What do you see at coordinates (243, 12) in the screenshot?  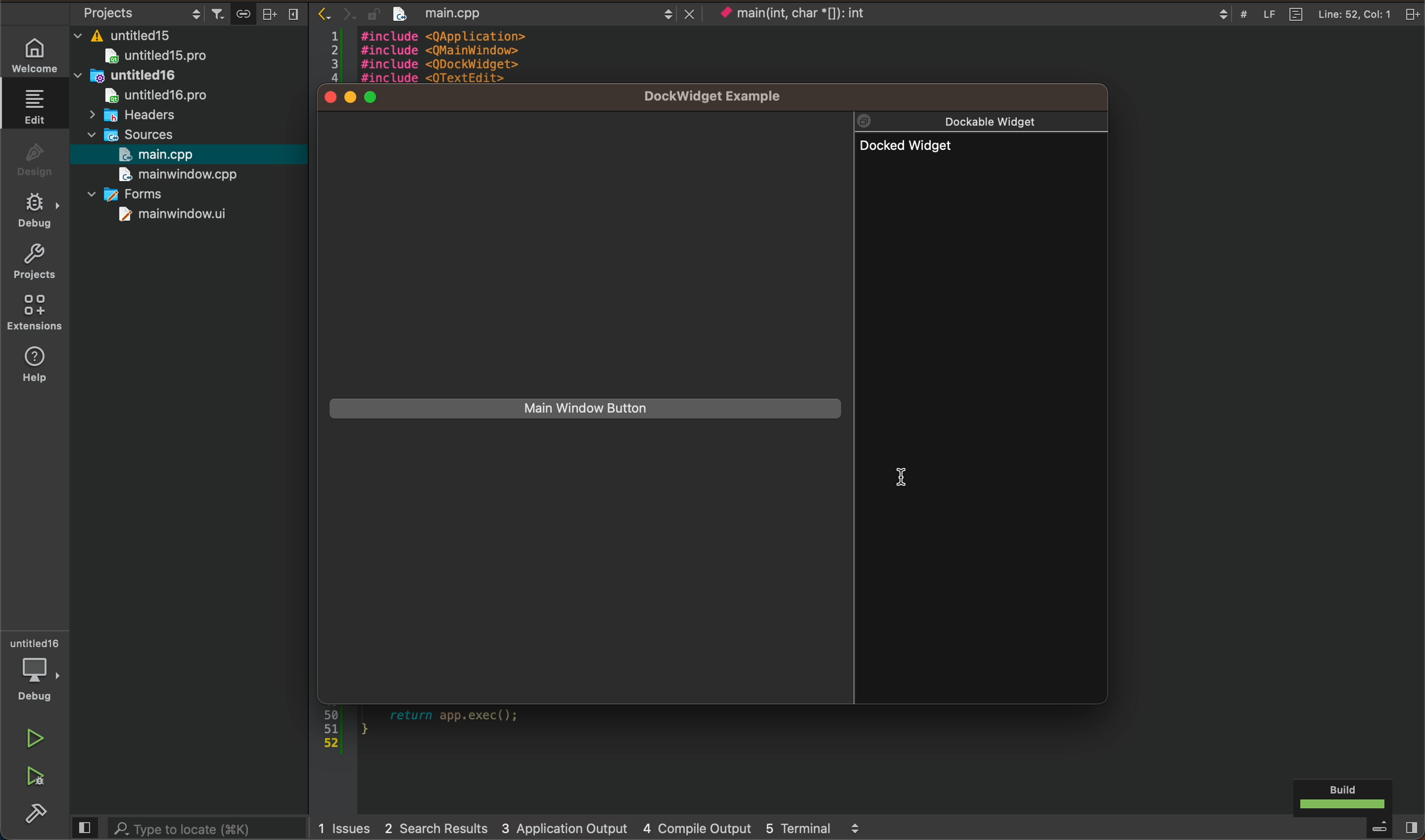 I see `save` at bounding box center [243, 12].